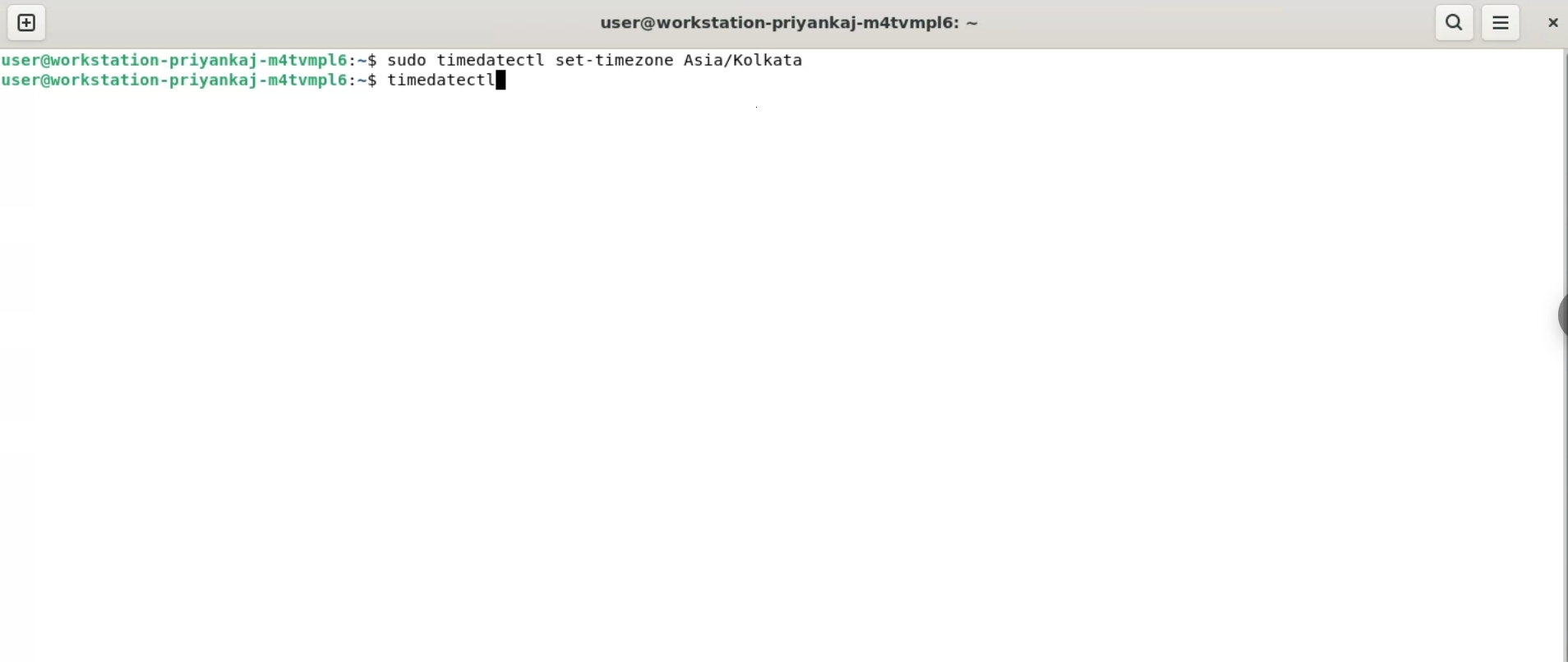  What do you see at coordinates (29, 23) in the screenshot?
I see `new tab` at bounding box center [29, 23].